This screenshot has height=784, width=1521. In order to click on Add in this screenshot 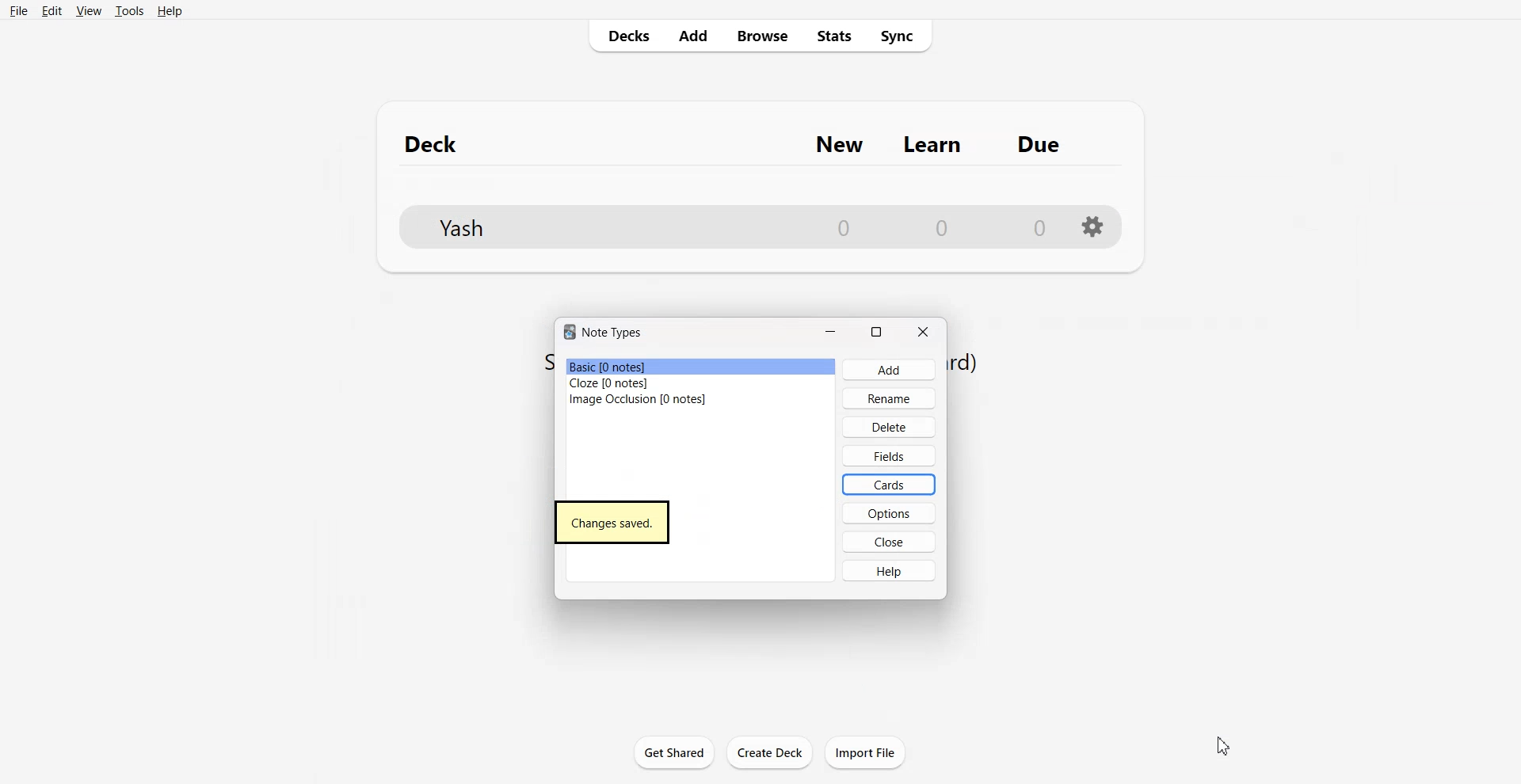, I will do `click(692, 35)`.